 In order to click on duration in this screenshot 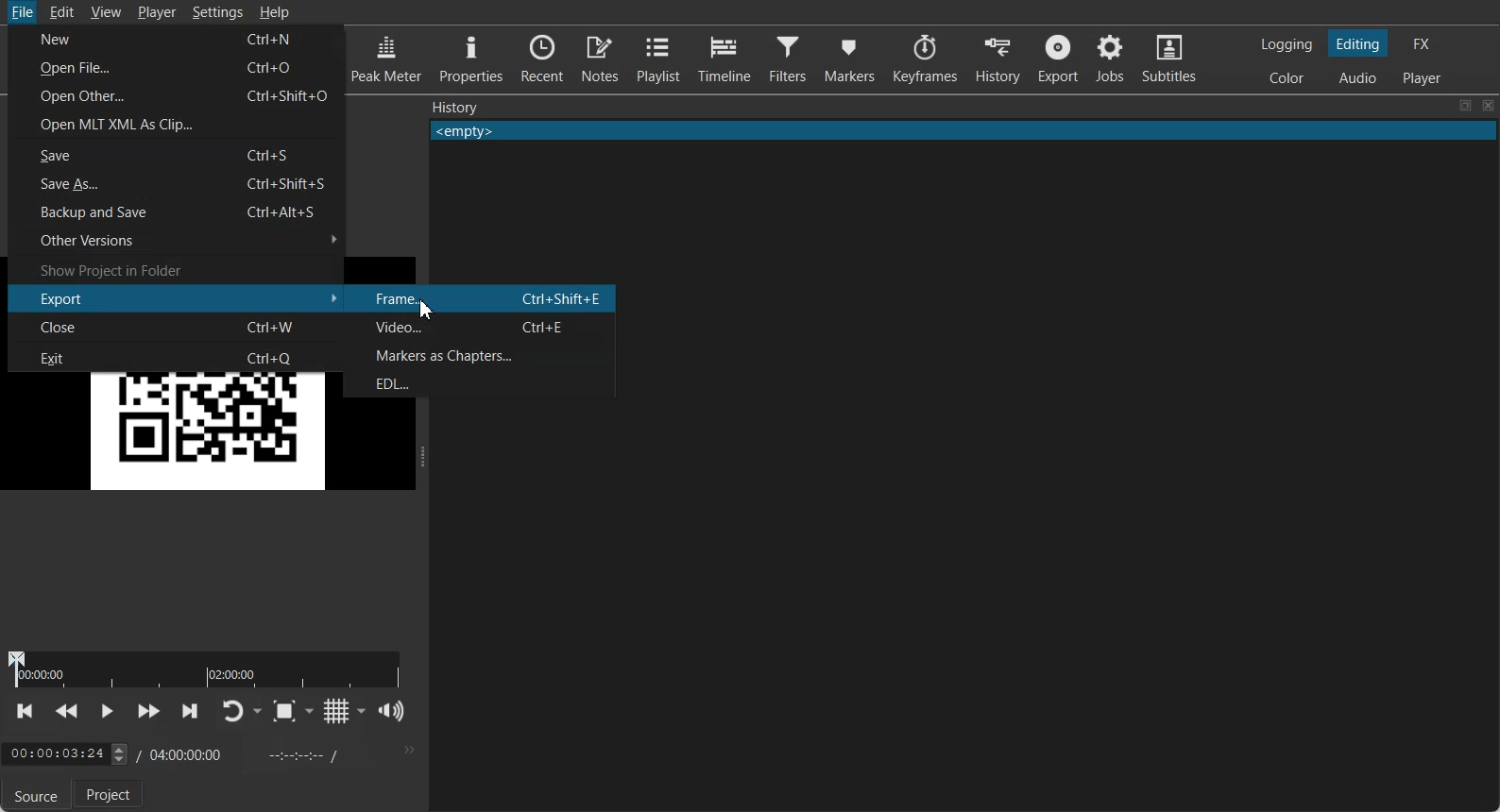, I will do `click(207, 668)`.